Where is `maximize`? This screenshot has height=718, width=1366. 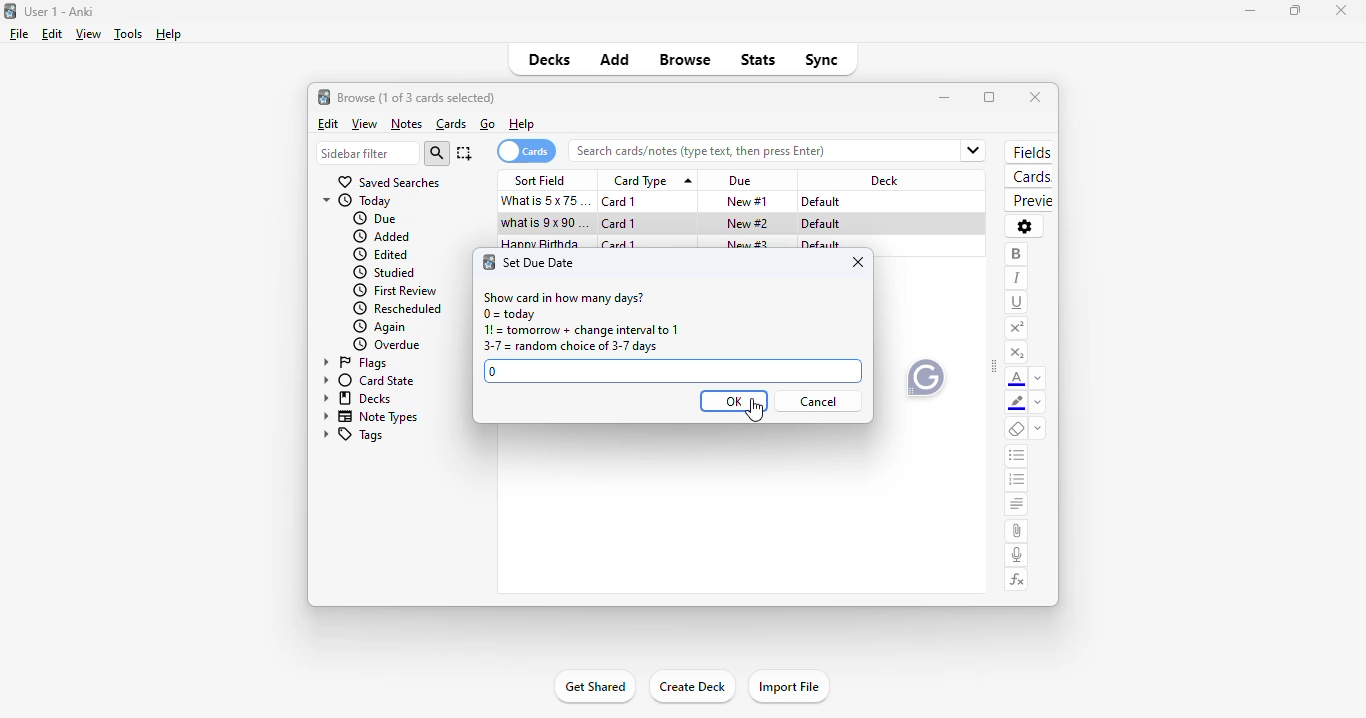
maximize is located at coordinates (989, 97).